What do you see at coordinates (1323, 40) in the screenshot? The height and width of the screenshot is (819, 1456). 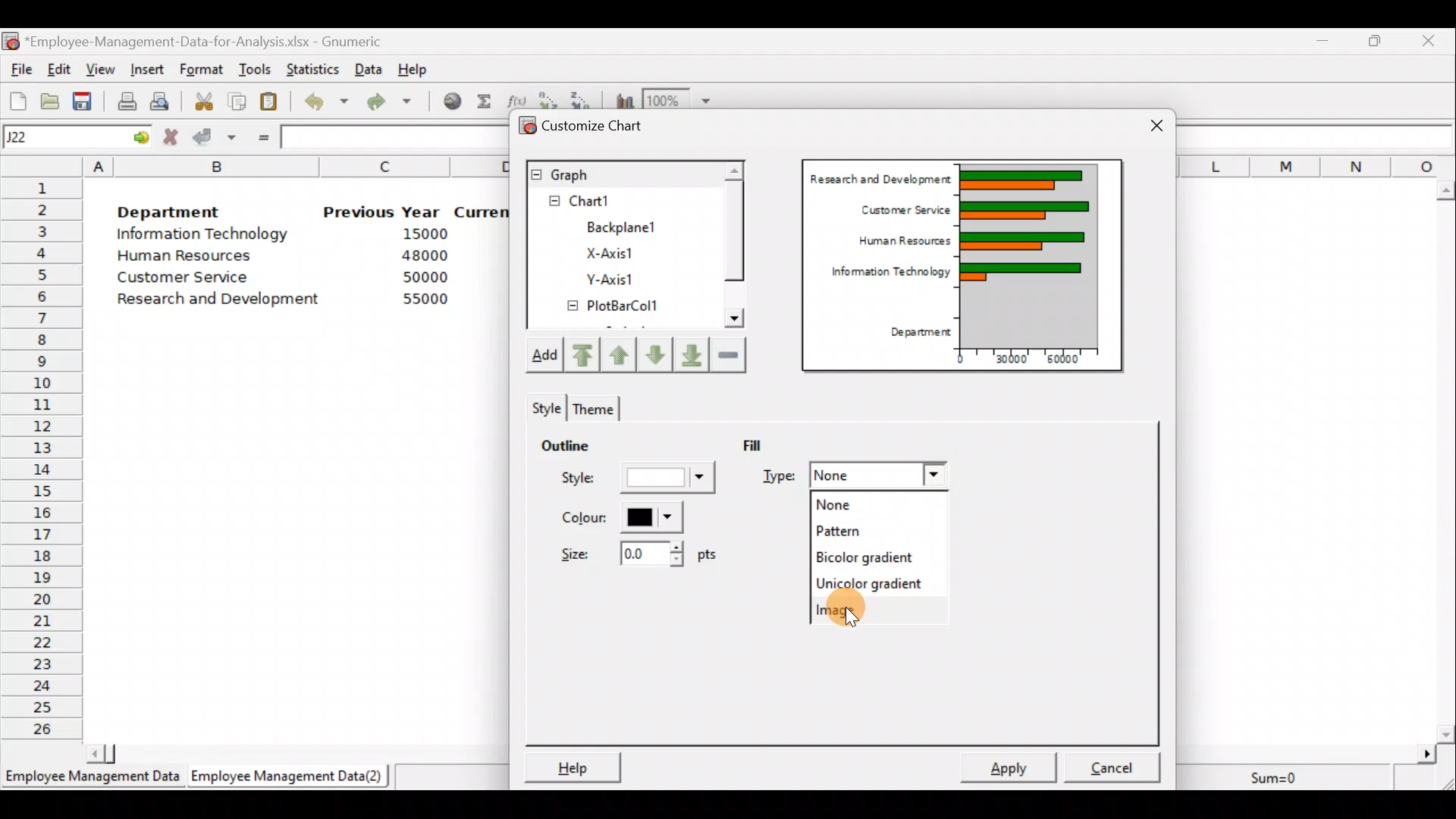 I see `Minimize` at bounding box center [1323, 40].